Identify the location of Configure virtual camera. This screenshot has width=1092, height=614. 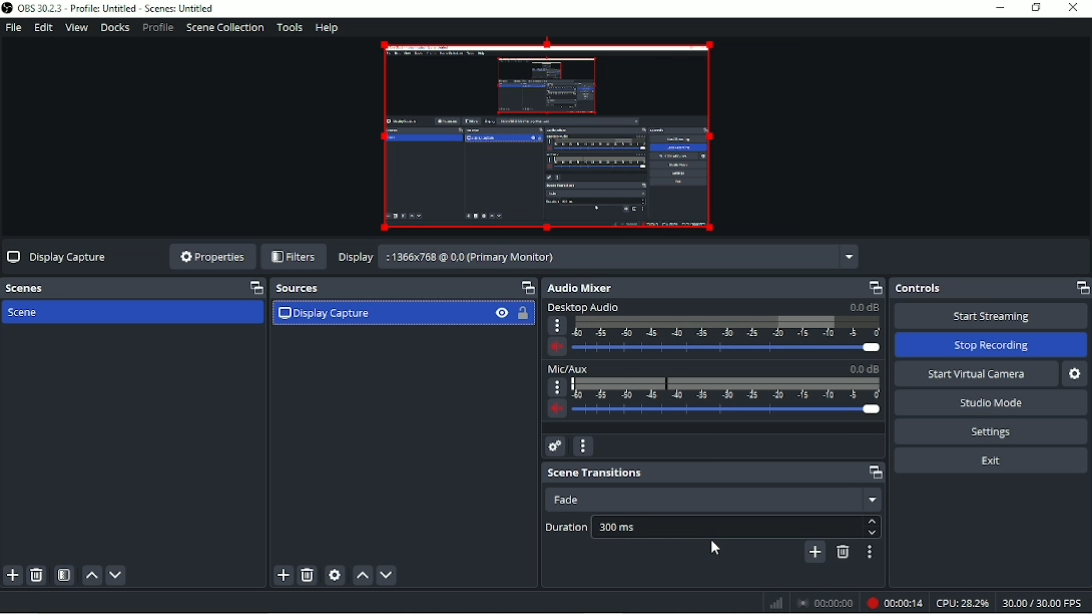
(1078, 375).